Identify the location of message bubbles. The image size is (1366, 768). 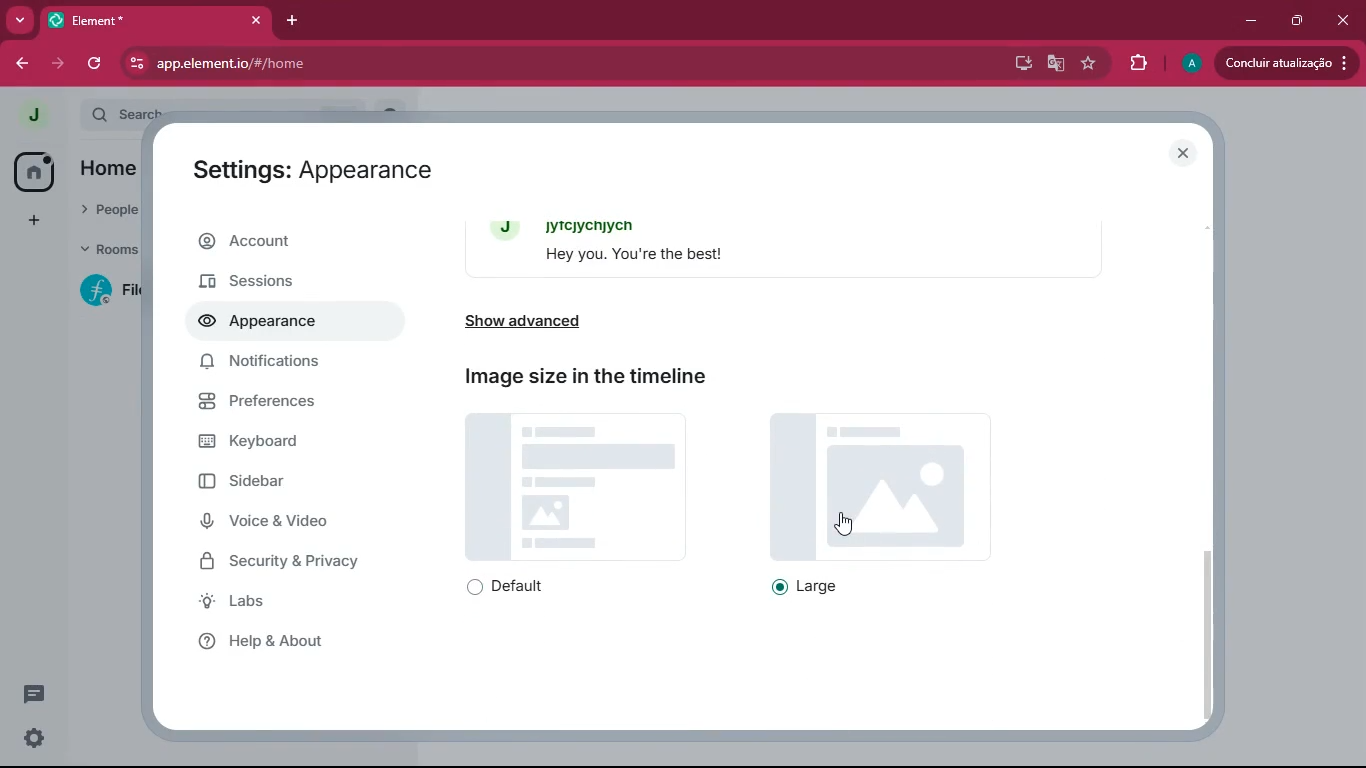
(793, 246).